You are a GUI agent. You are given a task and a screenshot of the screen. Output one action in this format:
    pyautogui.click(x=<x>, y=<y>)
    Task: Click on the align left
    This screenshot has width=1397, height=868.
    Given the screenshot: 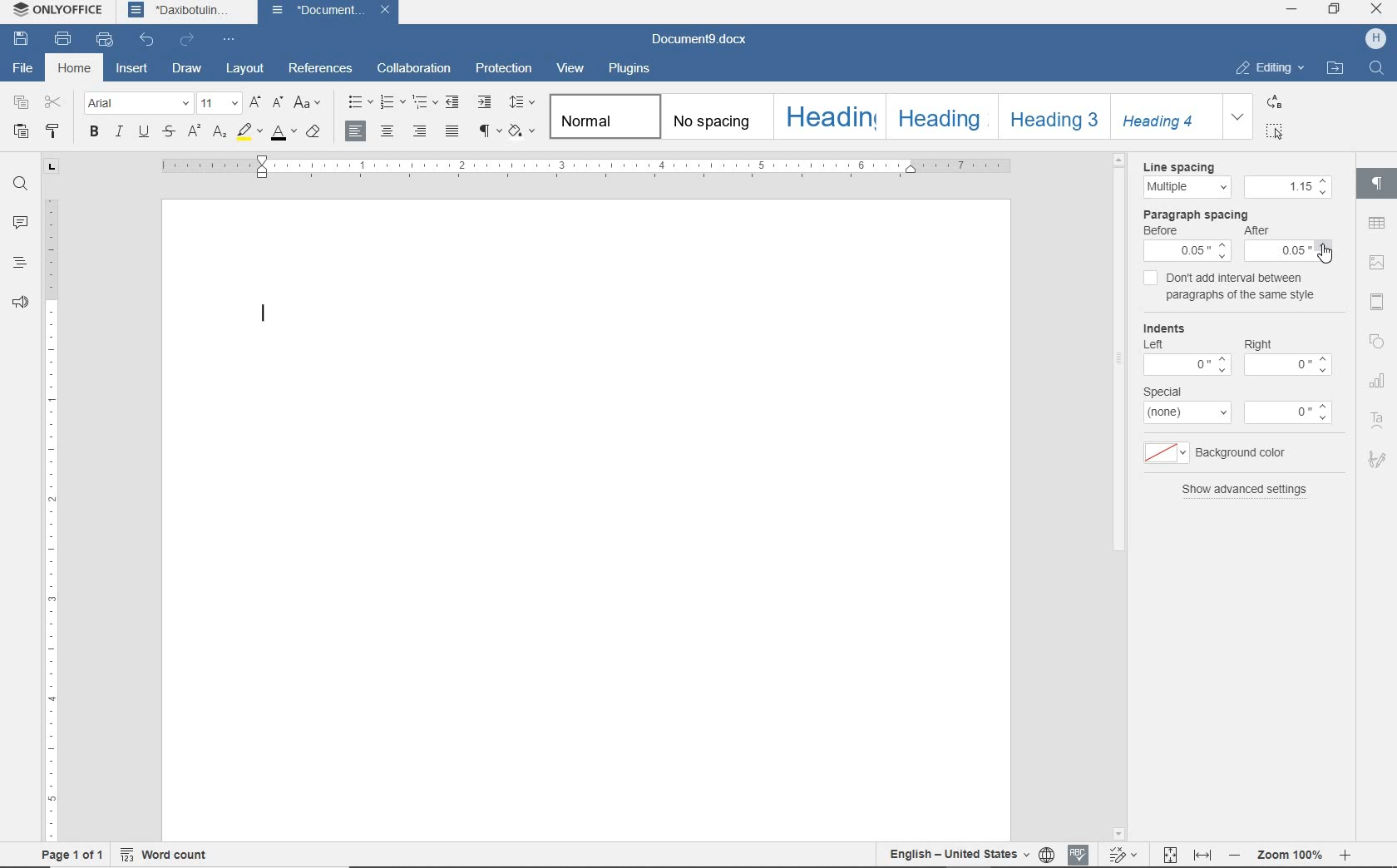 What is the action you would take?
    pyautogui.click(x=420, y=131)
    